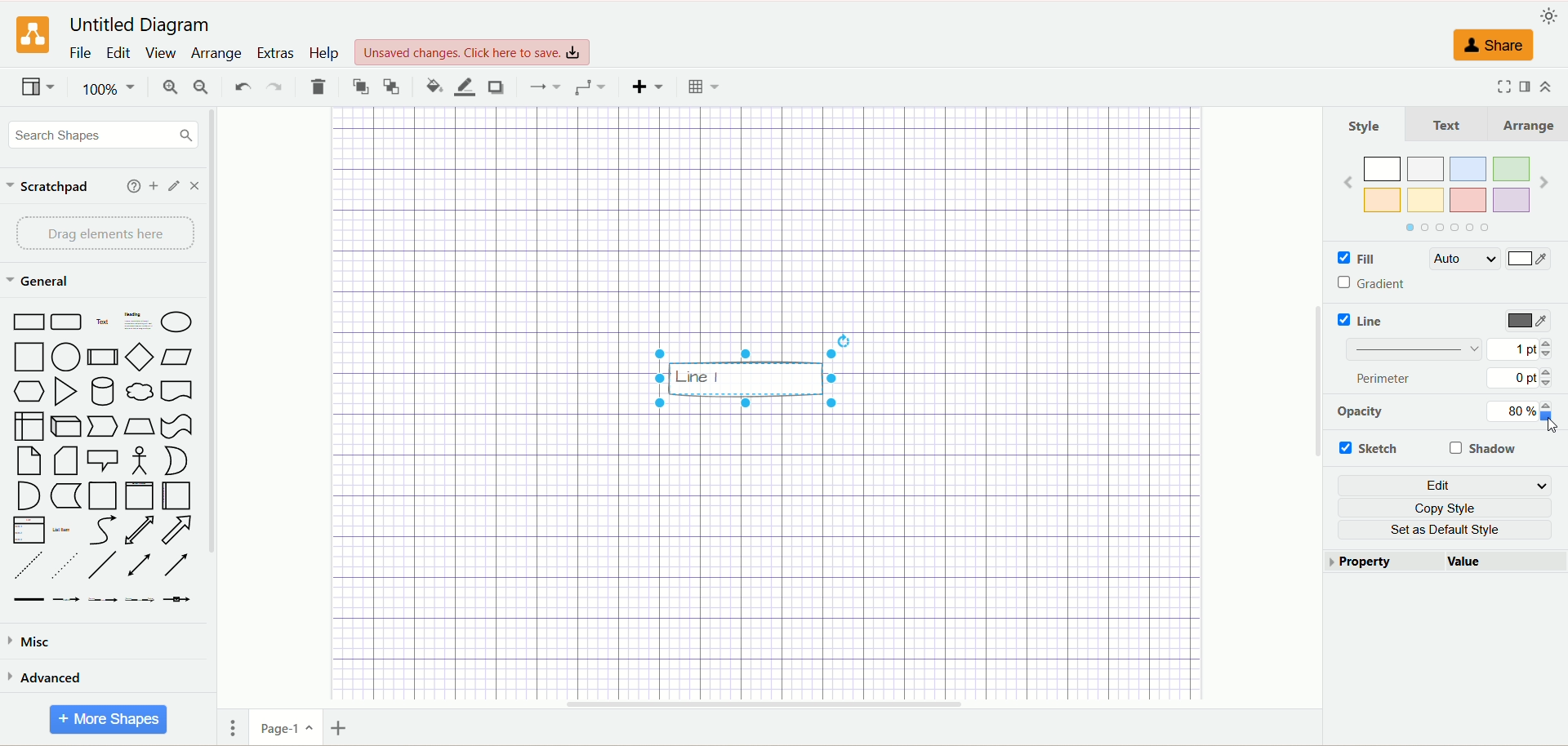 The width and height of the screenshot is (1568, 746). What do you see at coordinates (80, 54) in the screenshot?
I see `file` at bounding box center [80, 54].